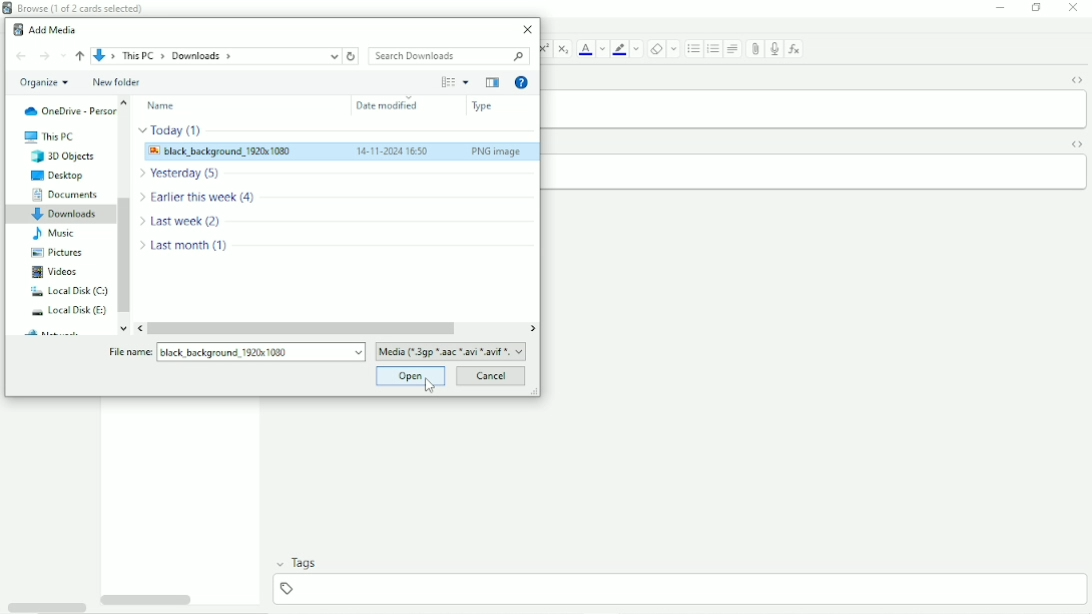 The height and width of the screenshot is (614, 1092). What do you see at coordinates (532, 329) in the screenshot?
I see `move right` at bounding box center [532, 329].